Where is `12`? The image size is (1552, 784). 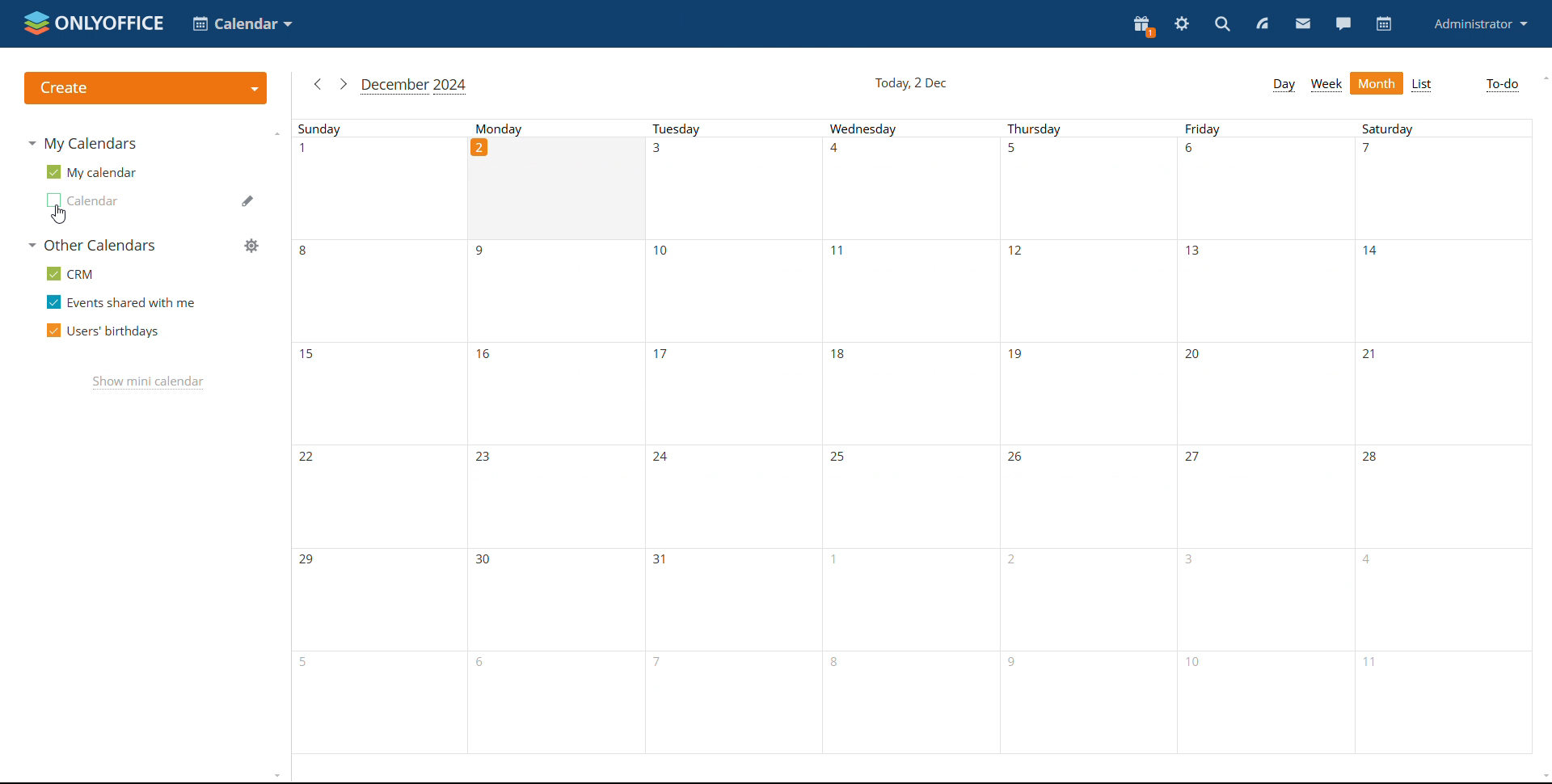 12 is located at coordinates (1091, 294).